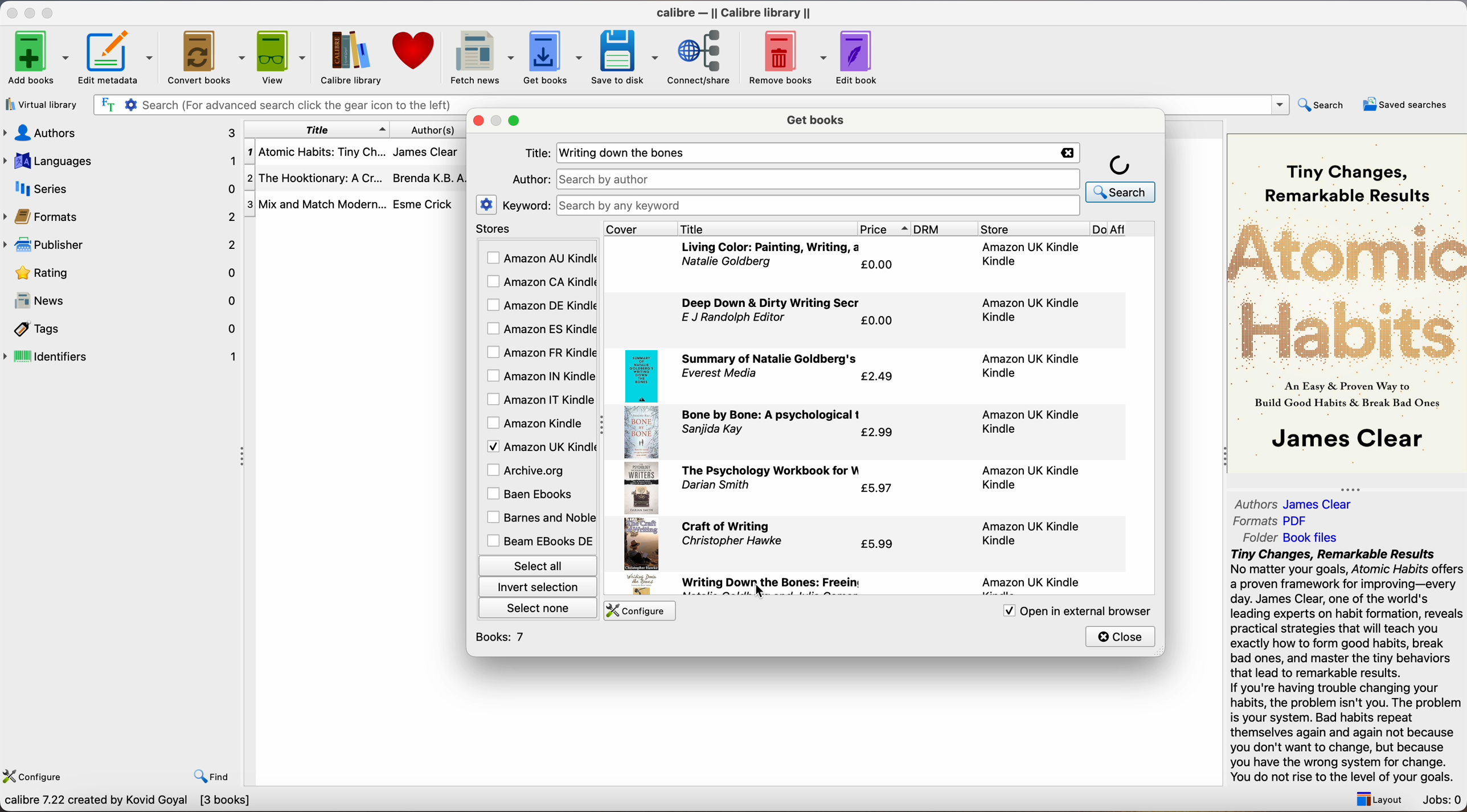 The width and height of the screenshot is (1467, 812). What do you see at coordinates (1034, 533) in the screenshot?
I see `amazon UK kindle` at bounding box center [1034, 533].